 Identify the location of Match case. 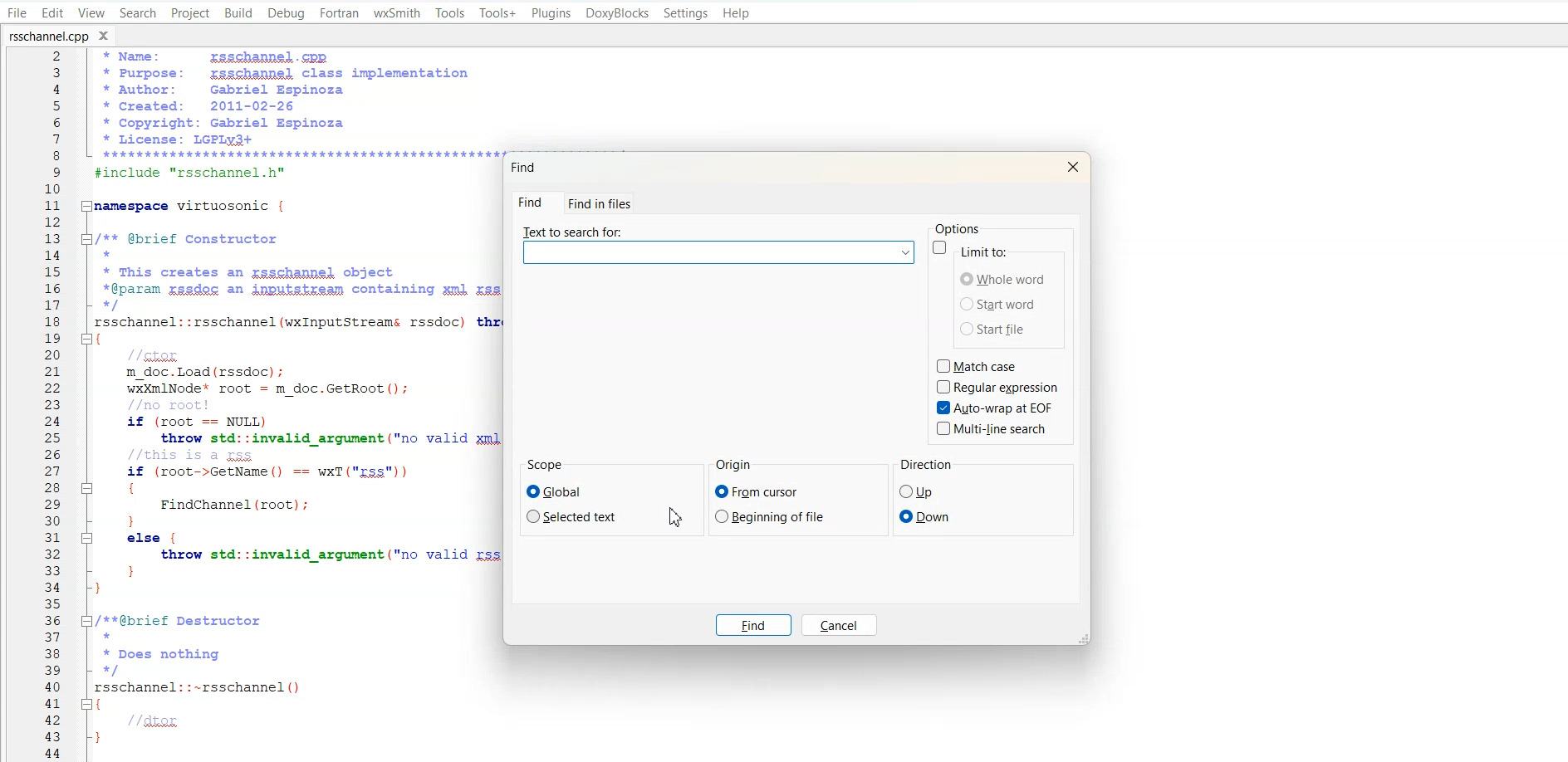
(981, 365).